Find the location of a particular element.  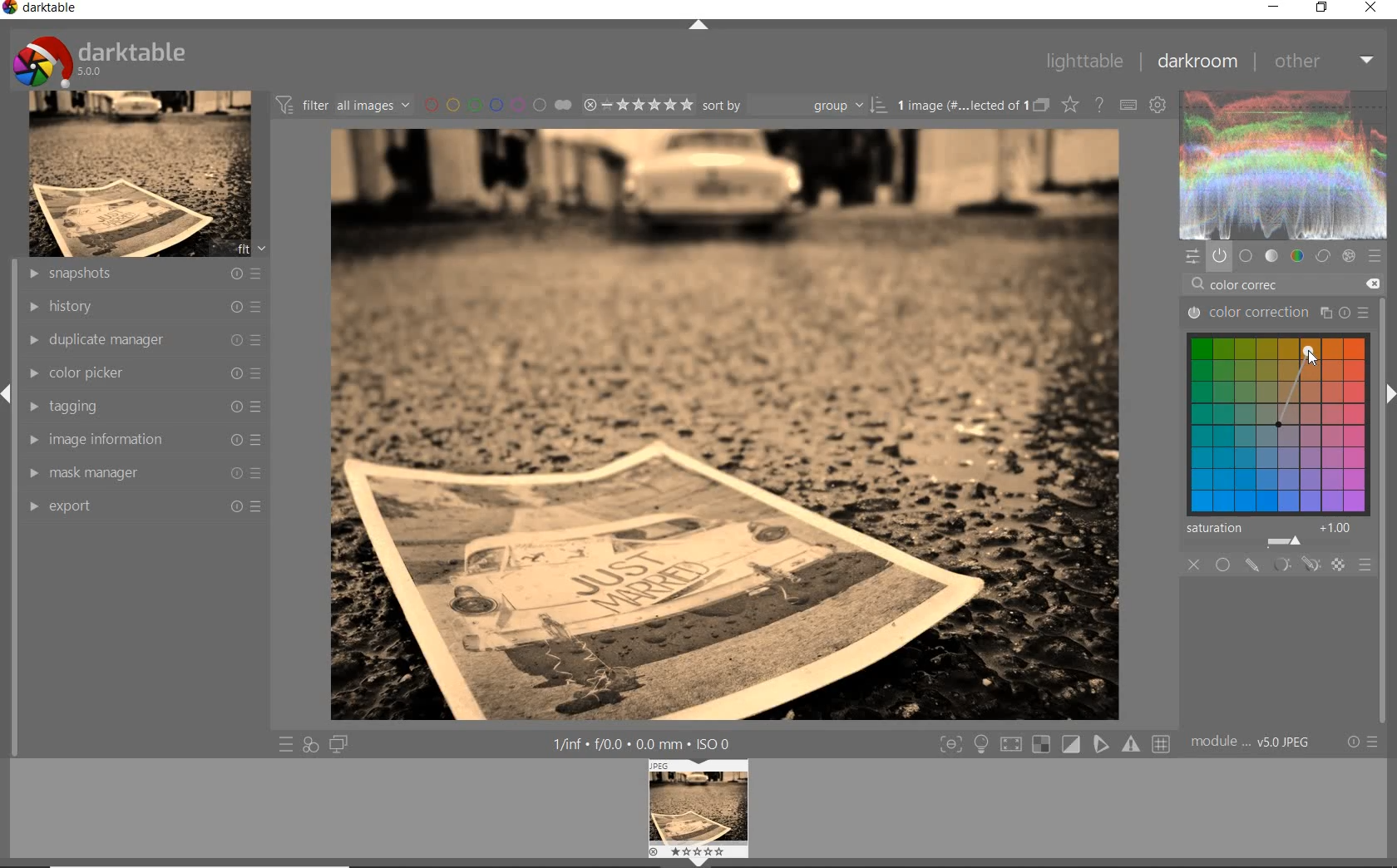

selected images is located at coordinates (962, 106).